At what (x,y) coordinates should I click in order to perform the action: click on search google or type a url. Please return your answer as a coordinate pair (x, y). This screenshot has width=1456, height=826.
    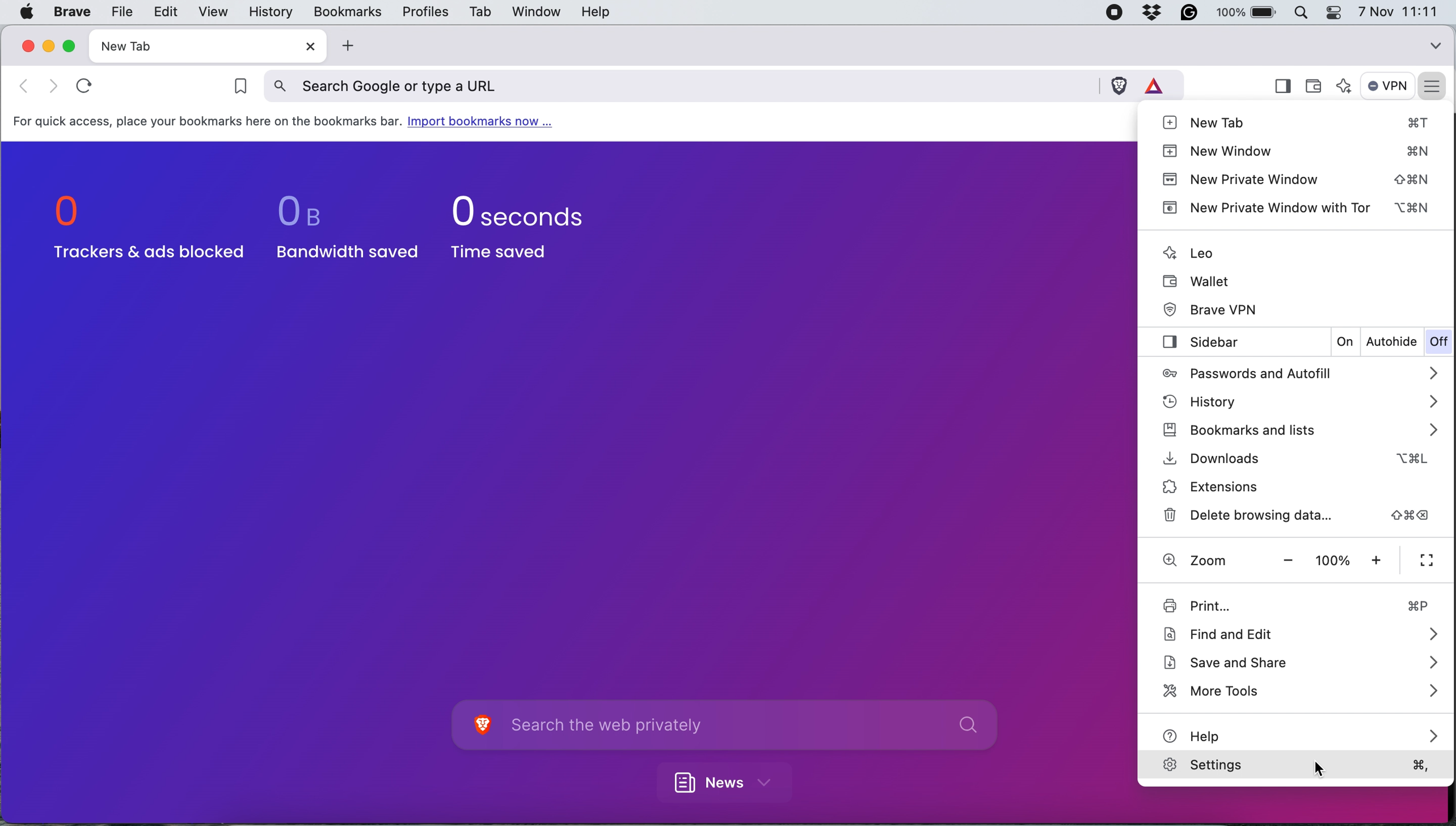
    Looking at the image, I should click on (681, 86).